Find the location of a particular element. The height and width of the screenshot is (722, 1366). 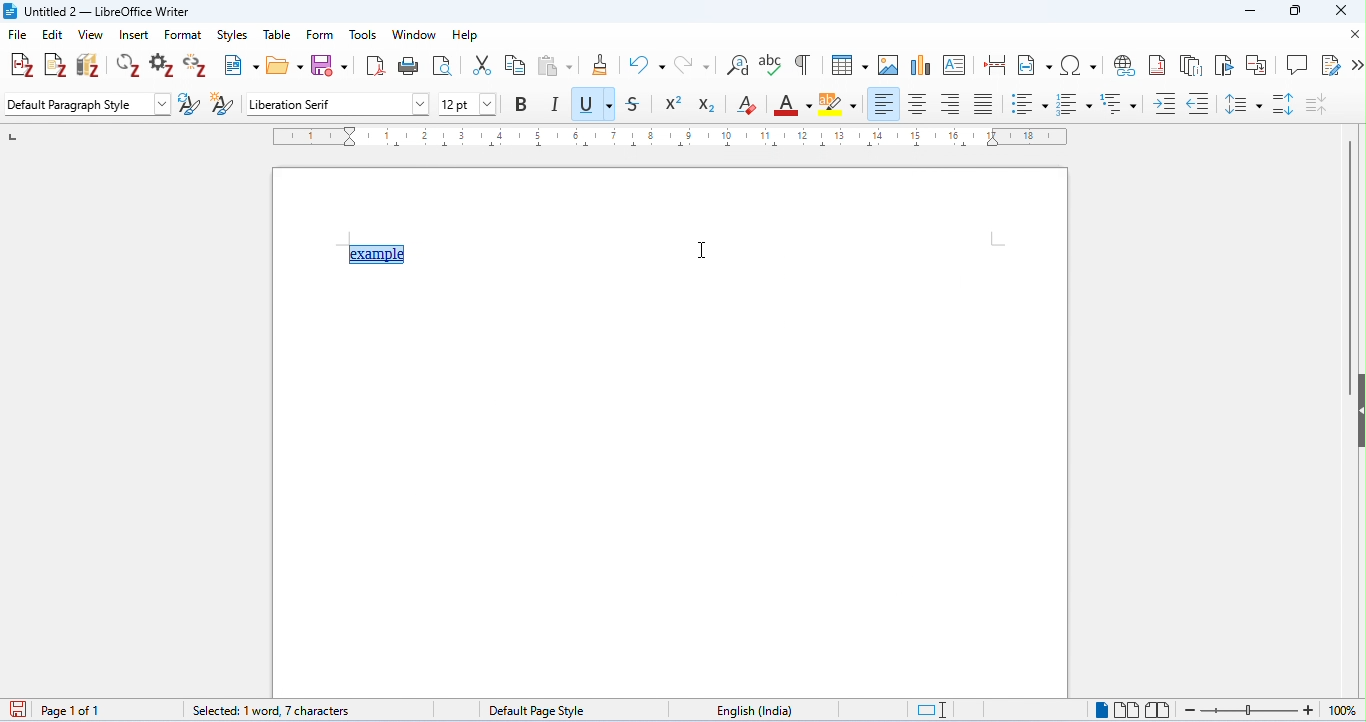

add/edit citations is located at coordinates (23, 67).